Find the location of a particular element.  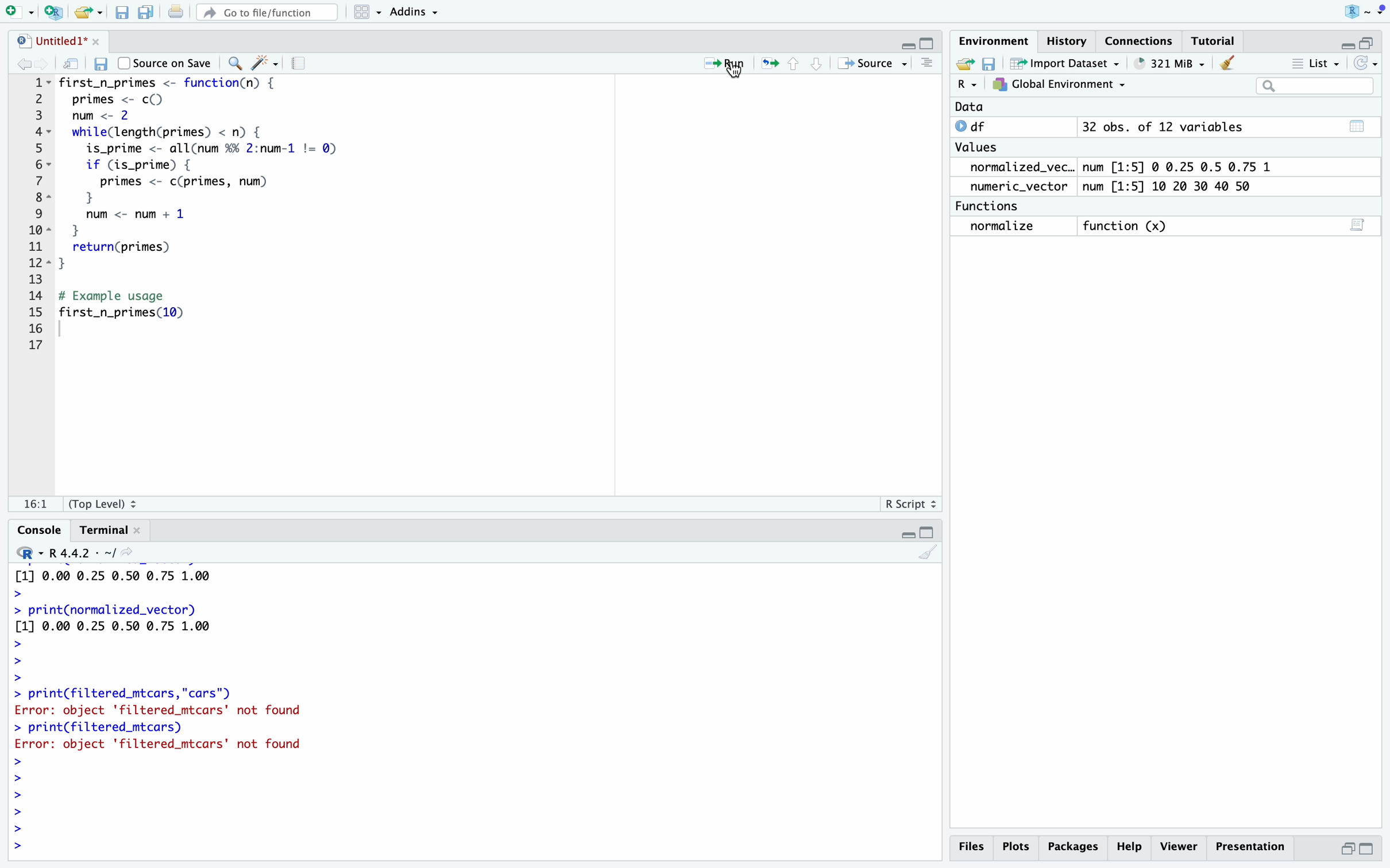

save all doc is located at coordinates (148, 13).